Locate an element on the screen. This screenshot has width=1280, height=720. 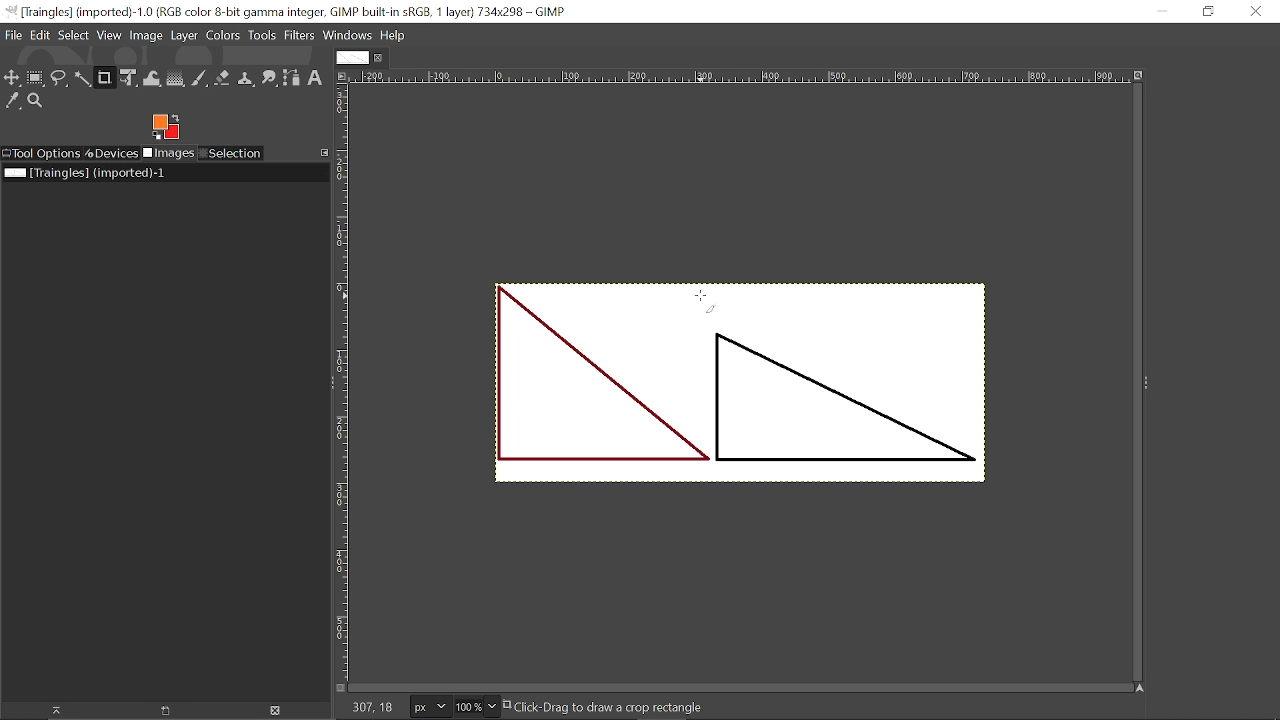
Windows is located at coordinates (347, 36).